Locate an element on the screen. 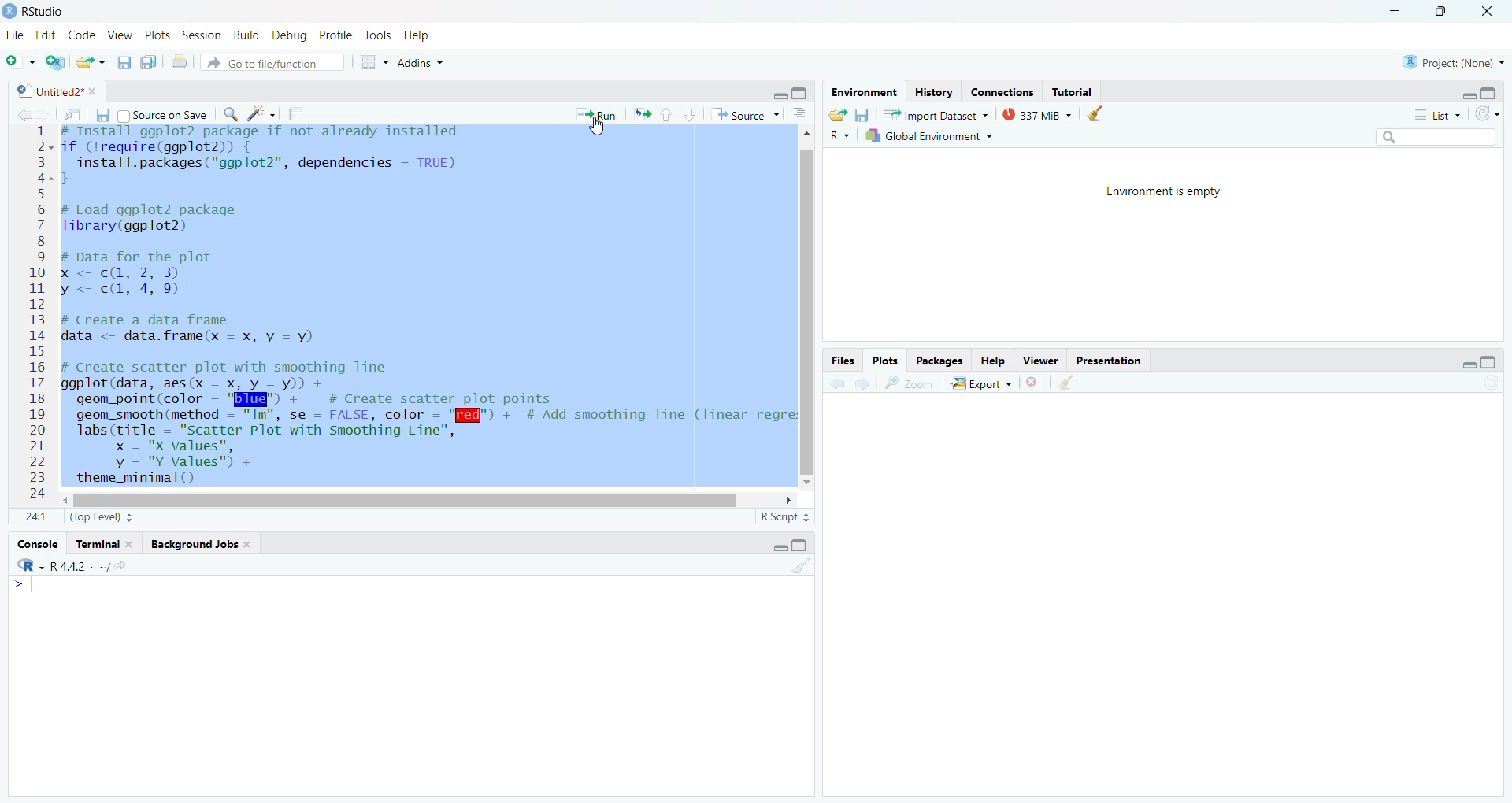  History is located at coordinates (932, 93).